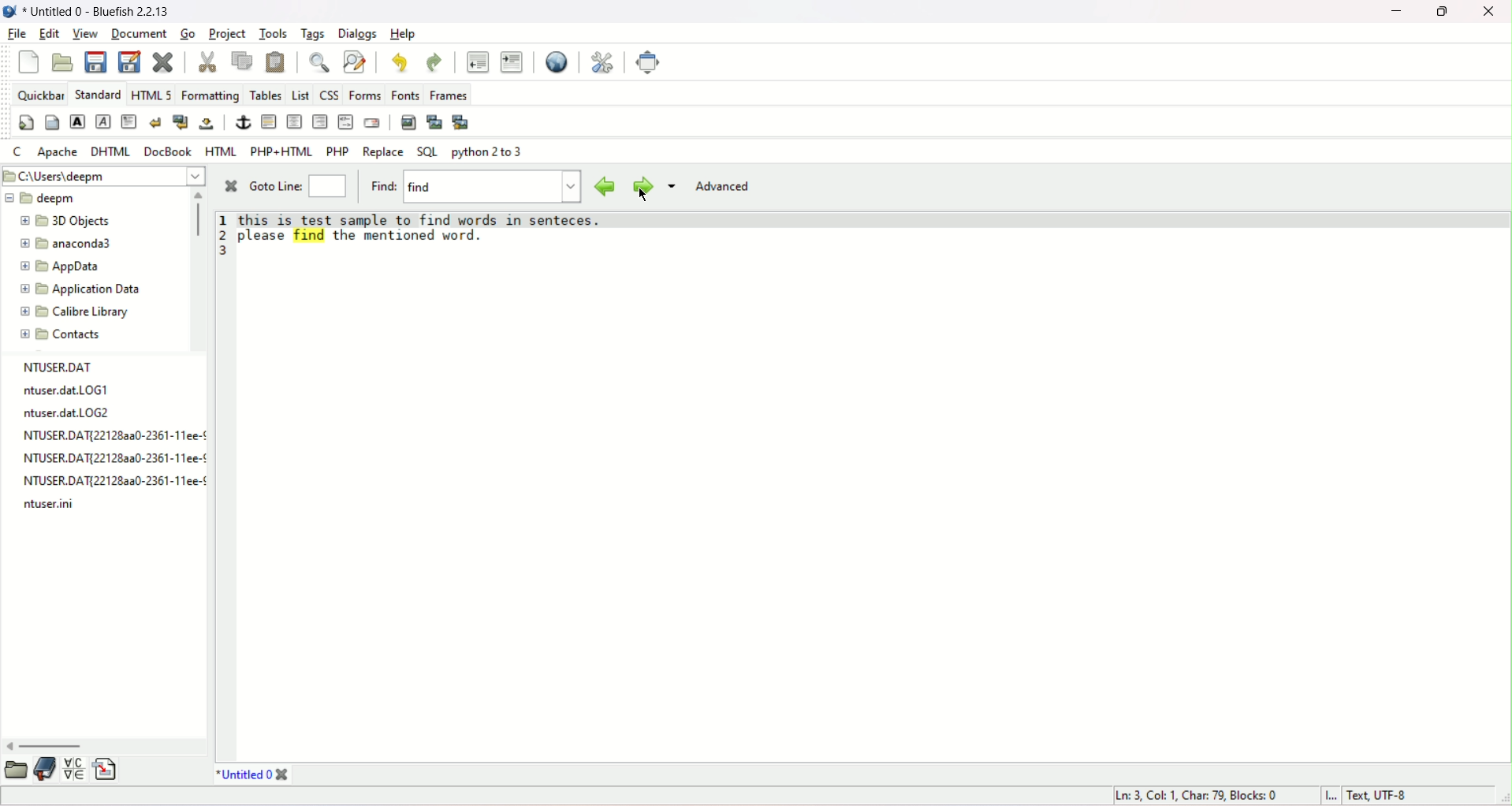 This screenshot has width=1512, height=806. I want to click on HTML 5, so click(152, 95).